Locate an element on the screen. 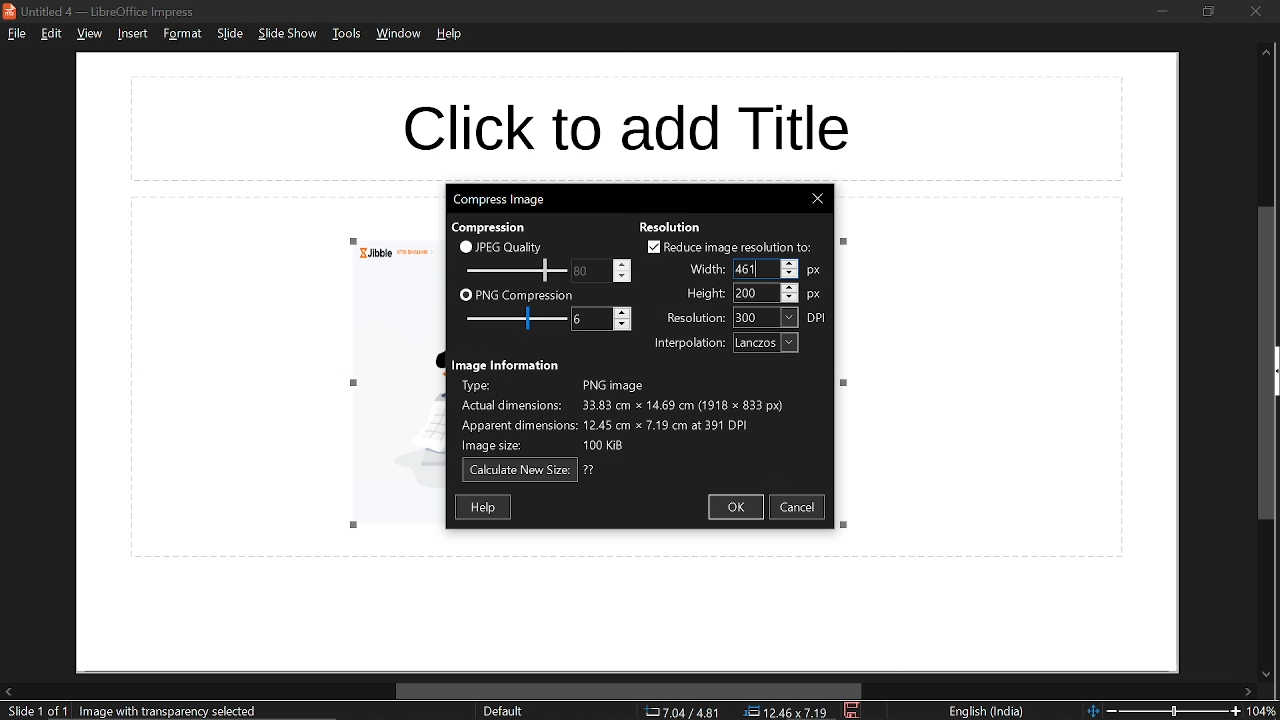 The height and width of the screenshot is (720, 1280). close is located at coordinates (819, 199).